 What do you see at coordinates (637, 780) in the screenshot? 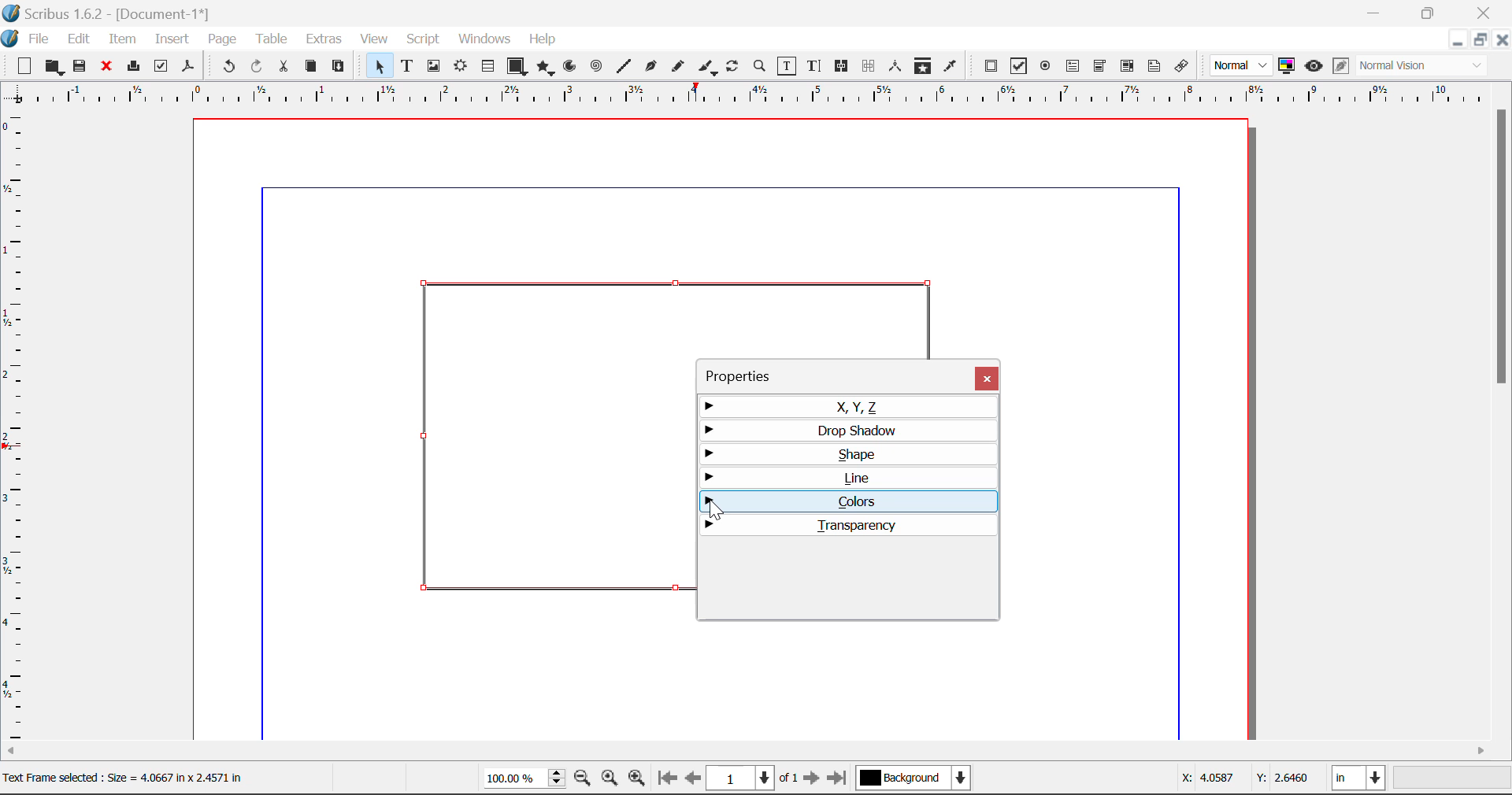
I see `Zoom In` at bounding box center [637, 780].